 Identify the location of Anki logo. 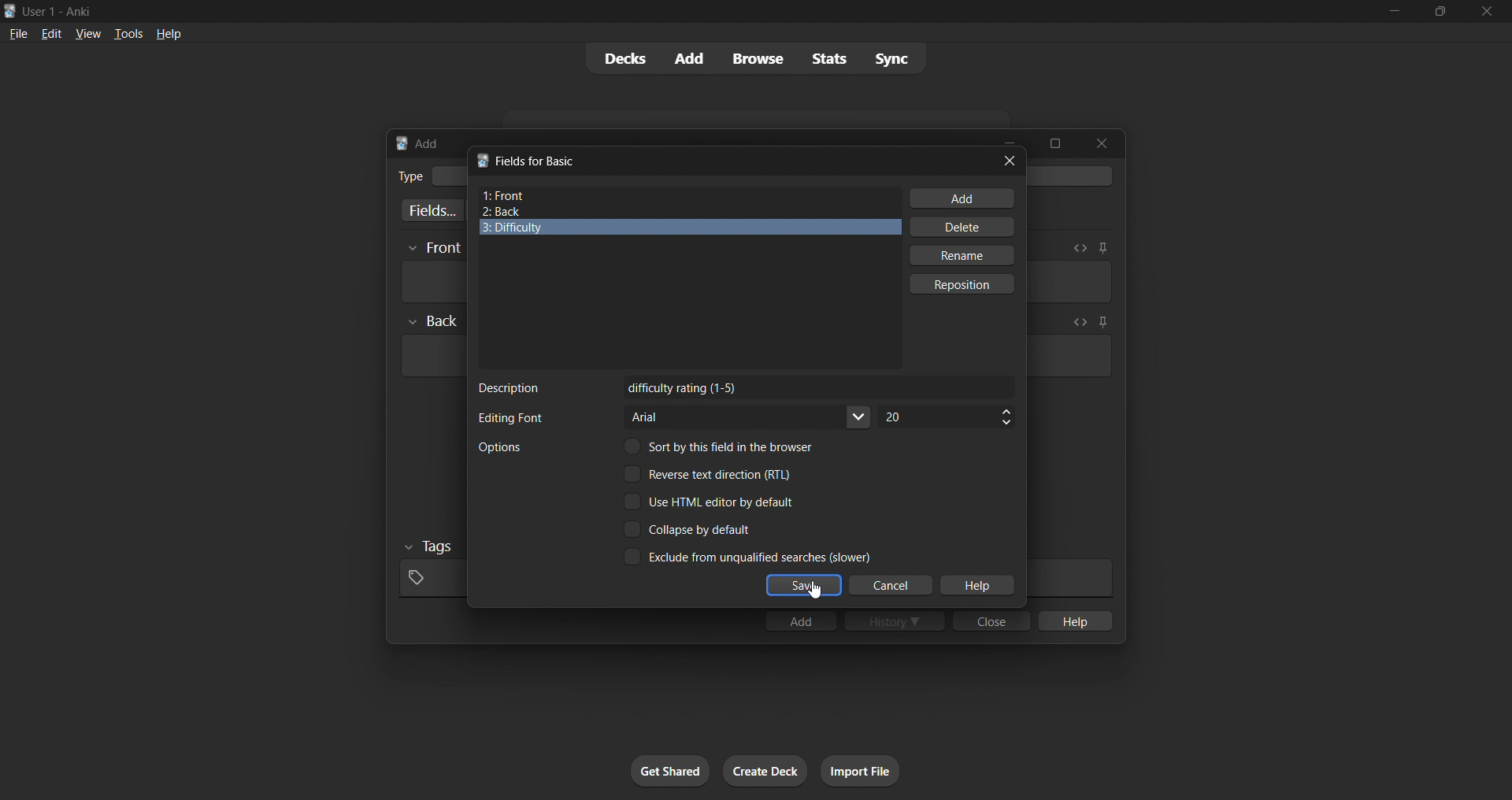
(402, 143).